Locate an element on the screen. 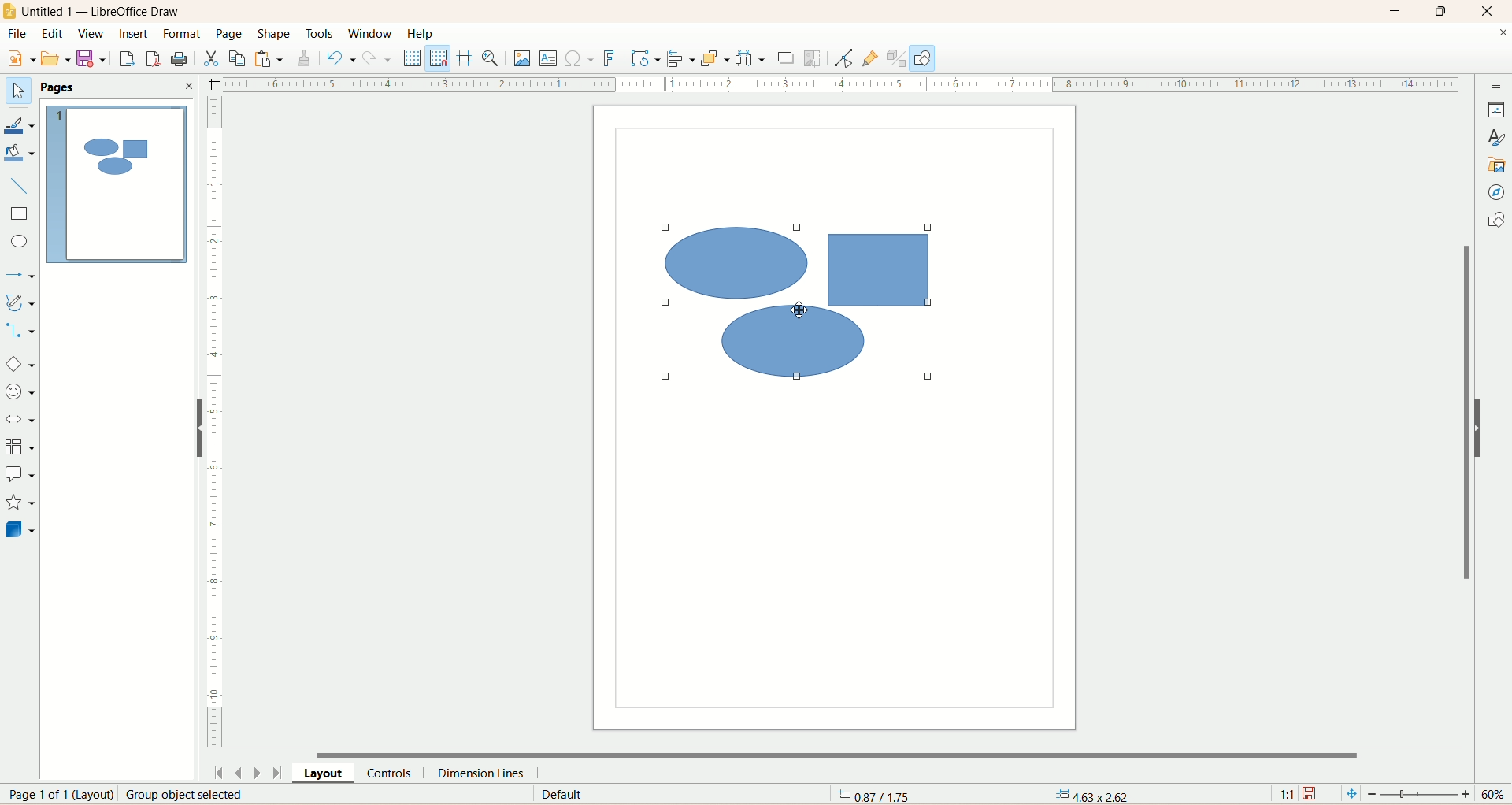 This screenshot has width=1512, height=805. pages is located at coordinates (63, 86).